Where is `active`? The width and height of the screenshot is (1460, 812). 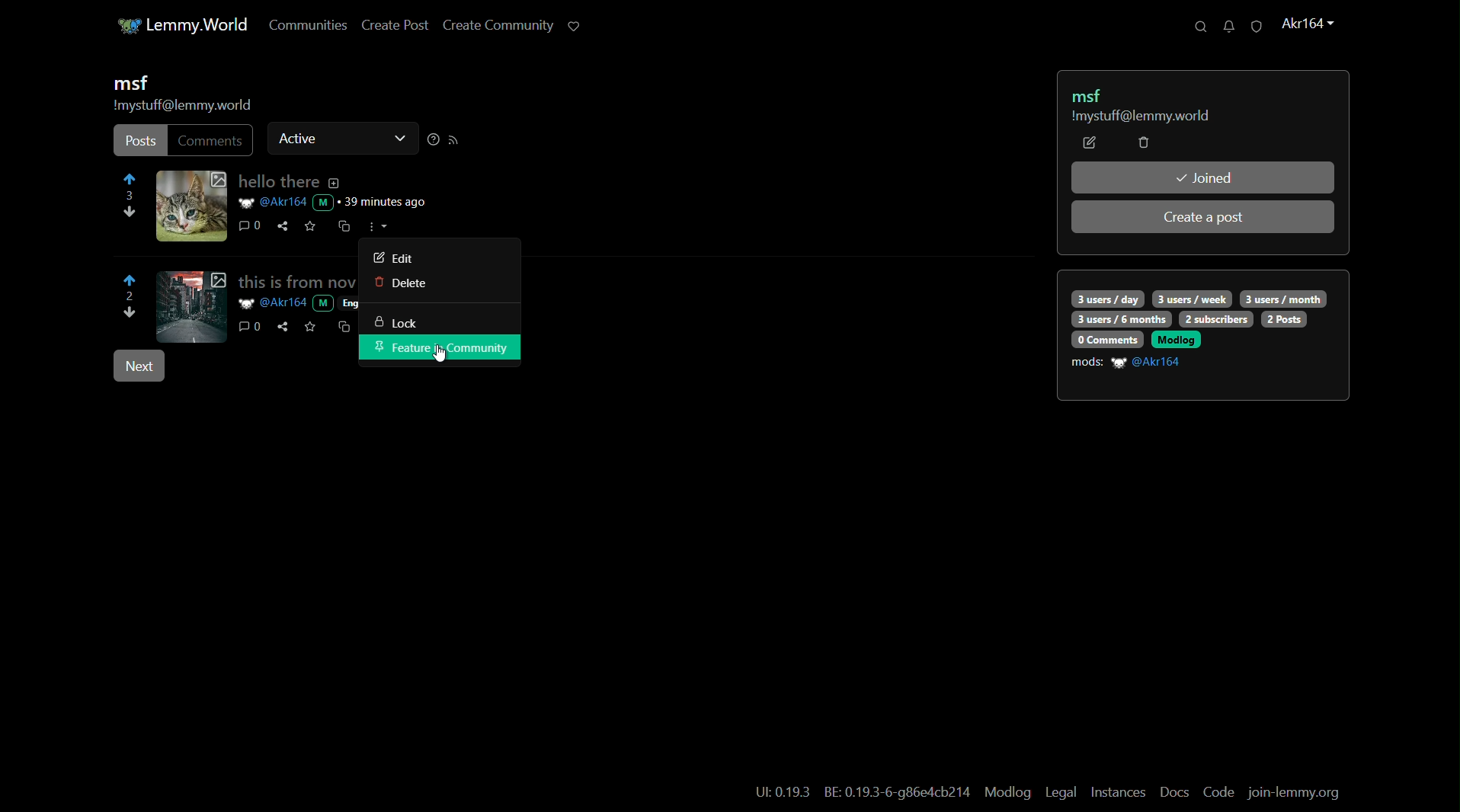 active is located at coordinates (299, 137).